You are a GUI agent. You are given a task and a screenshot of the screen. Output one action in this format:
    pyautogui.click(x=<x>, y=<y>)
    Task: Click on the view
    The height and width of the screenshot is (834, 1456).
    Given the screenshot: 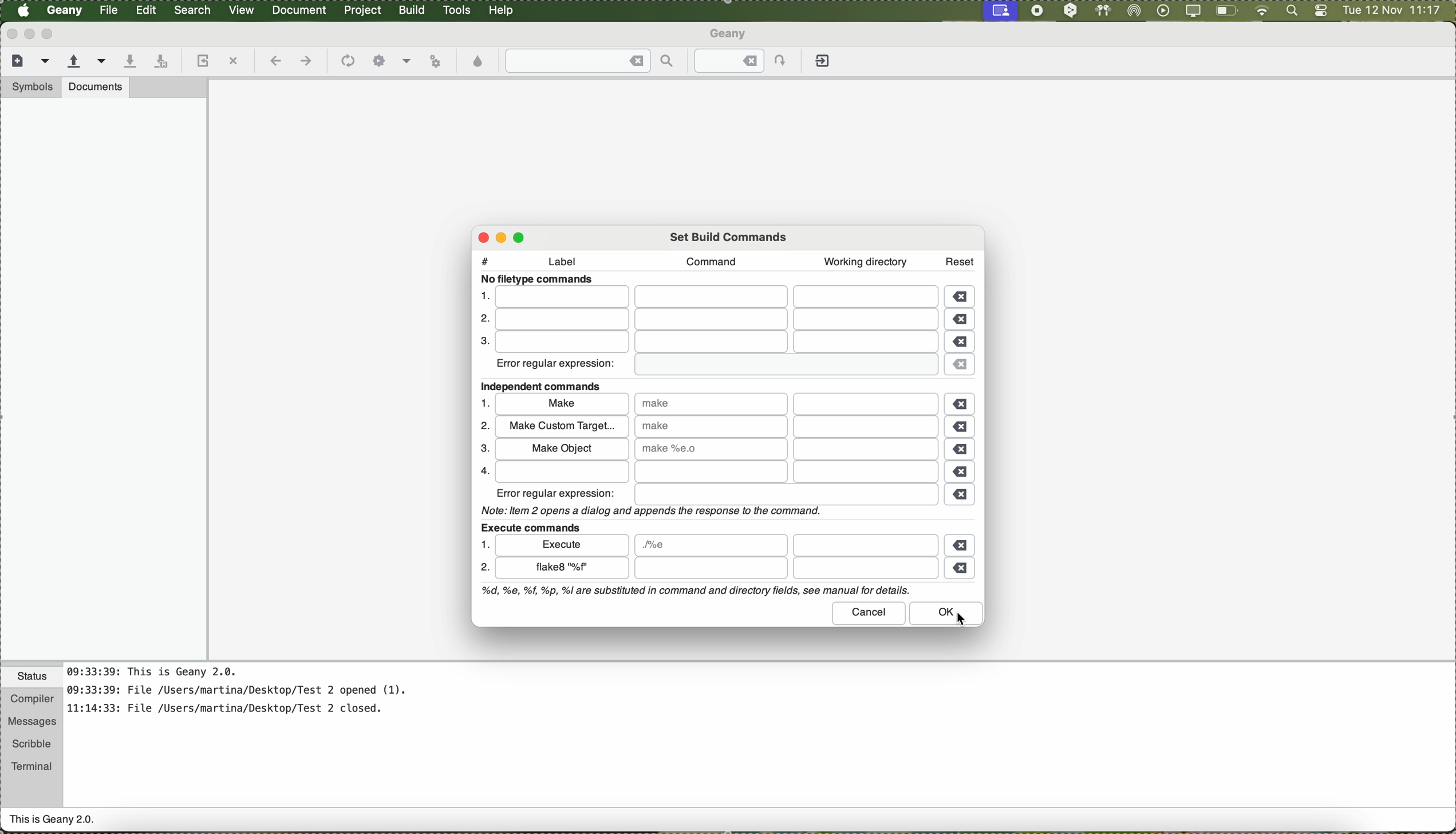 What is the action you would take?
    pyautogui.click(x=242, y=9)
    